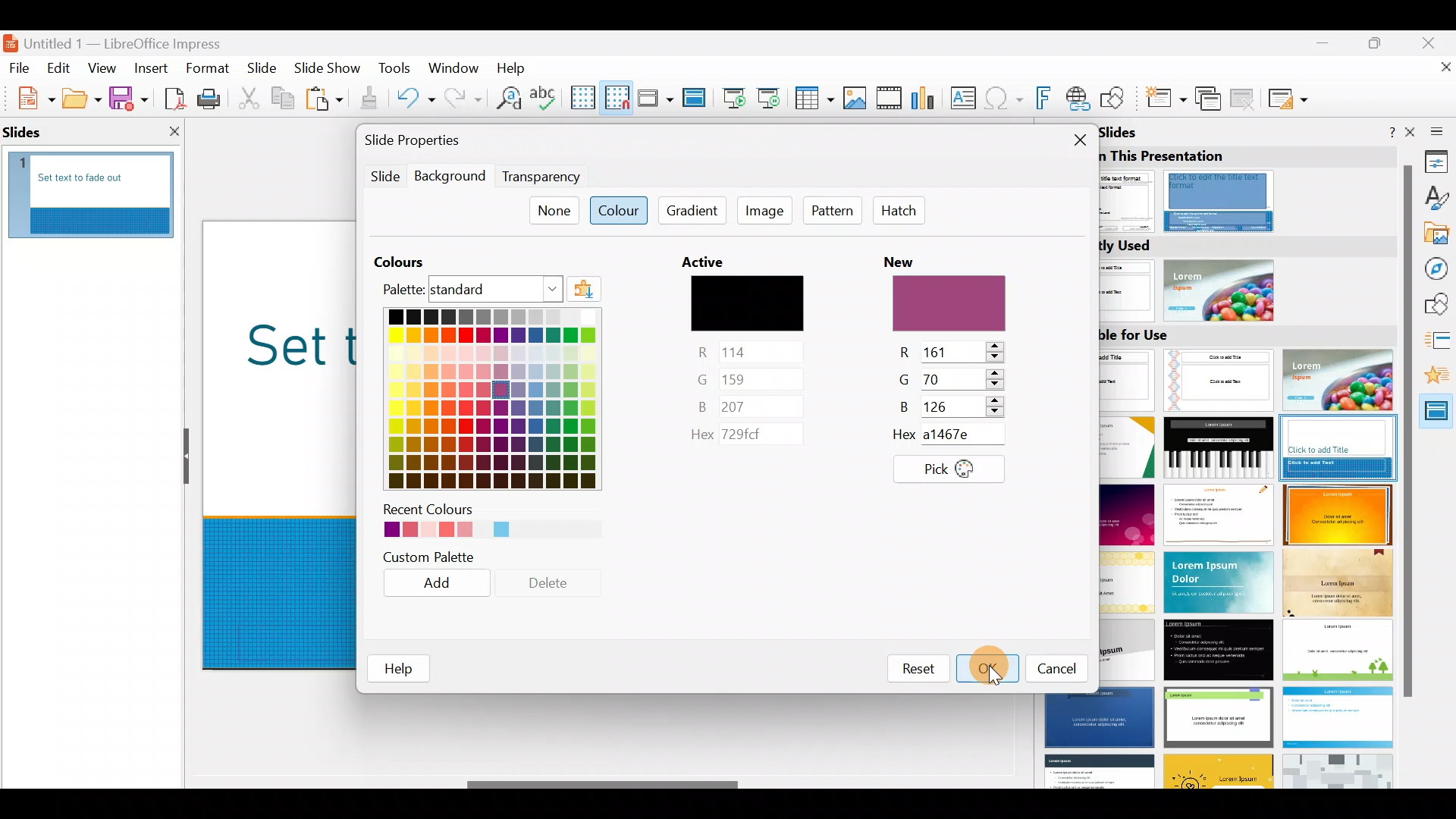 This screenshot has width=1456, height=819. Describe the element at coordinates (949, 306) in the screenshot. I see `preview` at that location.